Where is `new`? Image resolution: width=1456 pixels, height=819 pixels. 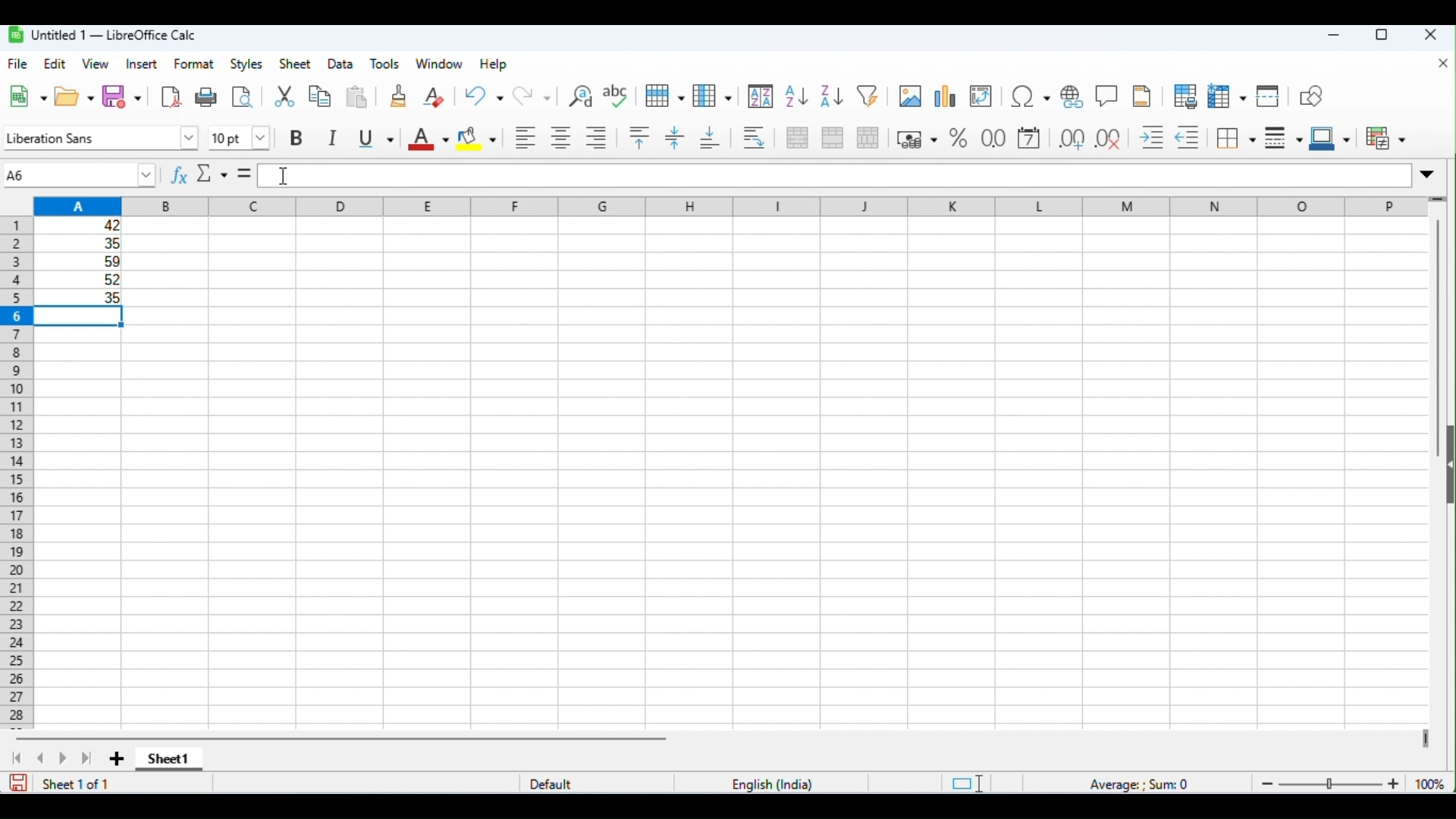
new is located at coordinates (27, 97).